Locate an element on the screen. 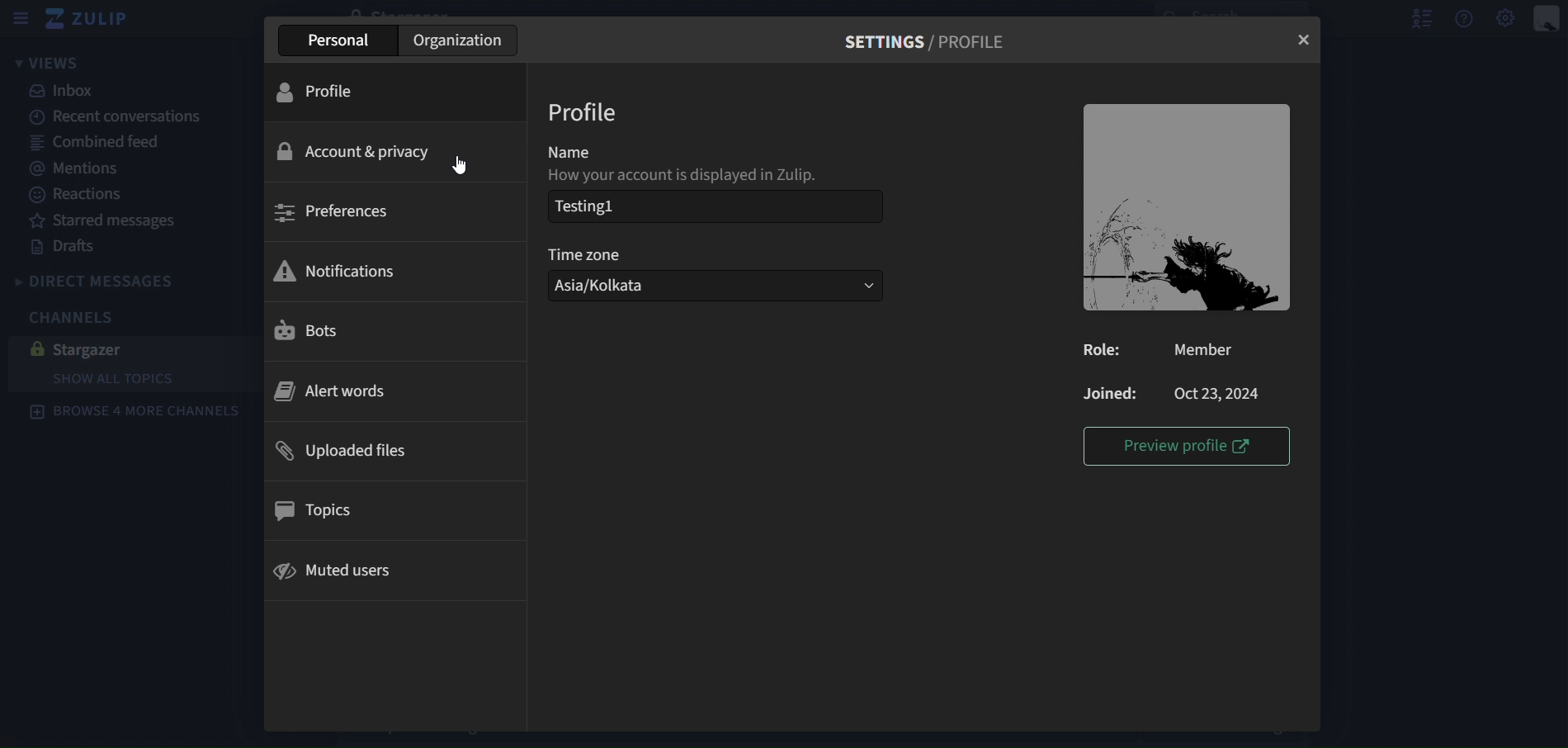  alert words is located at coordinates (333, 393).